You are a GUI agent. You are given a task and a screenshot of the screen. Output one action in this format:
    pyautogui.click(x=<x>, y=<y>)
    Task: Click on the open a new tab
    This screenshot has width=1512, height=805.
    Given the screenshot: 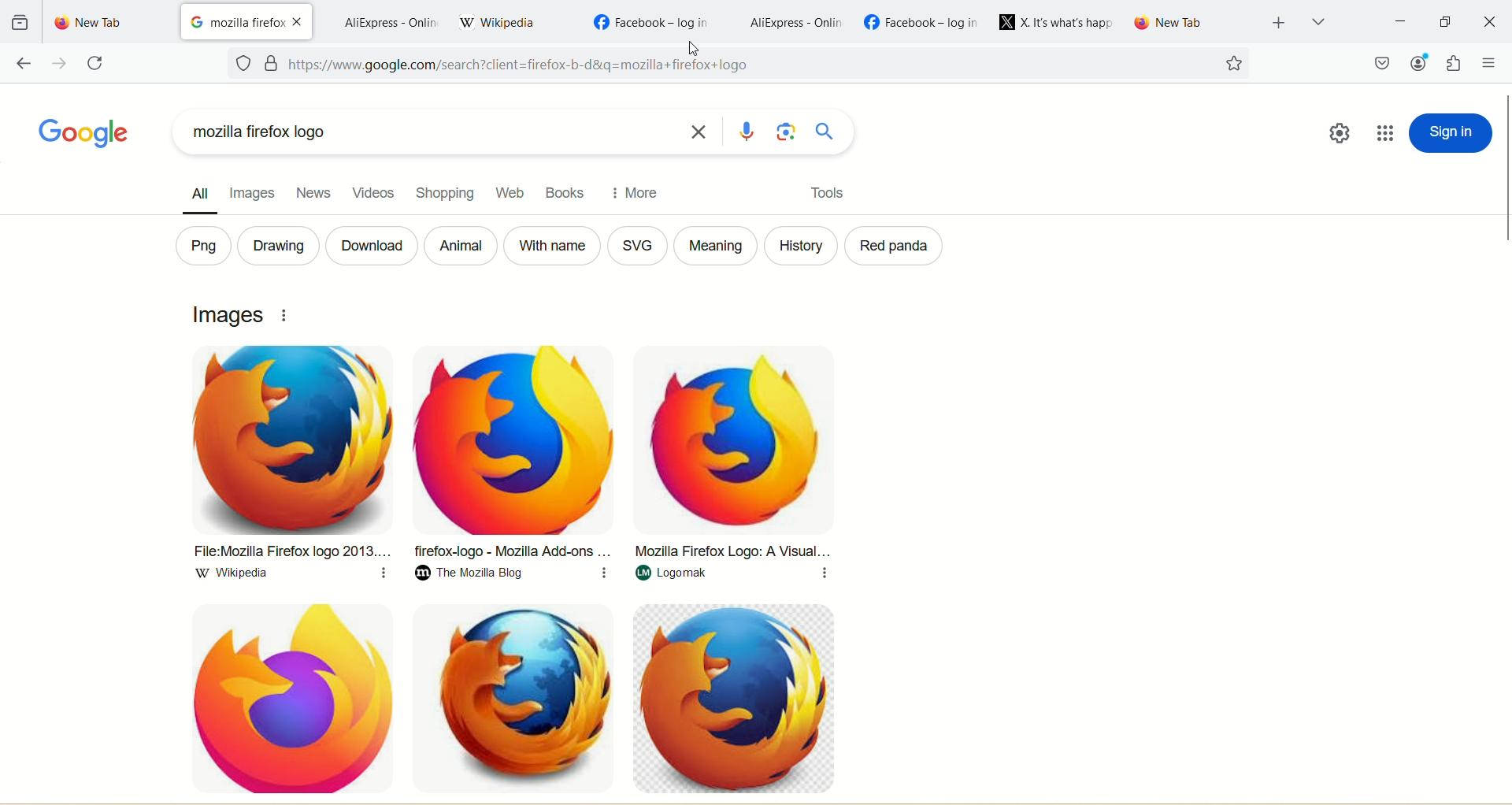 What is the action you would take?
    pyautogui.click(x=1280, y=23)
    